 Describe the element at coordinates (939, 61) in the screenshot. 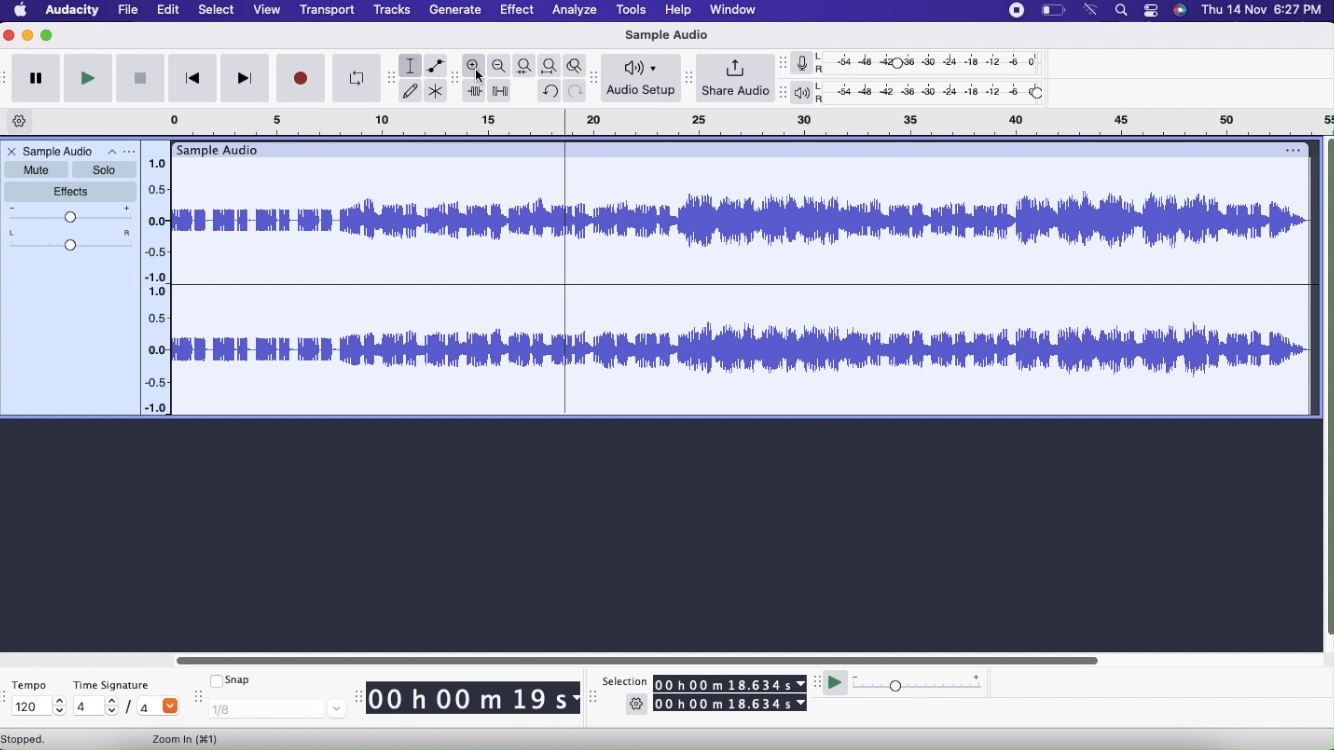

I see `Recording level` at that location.